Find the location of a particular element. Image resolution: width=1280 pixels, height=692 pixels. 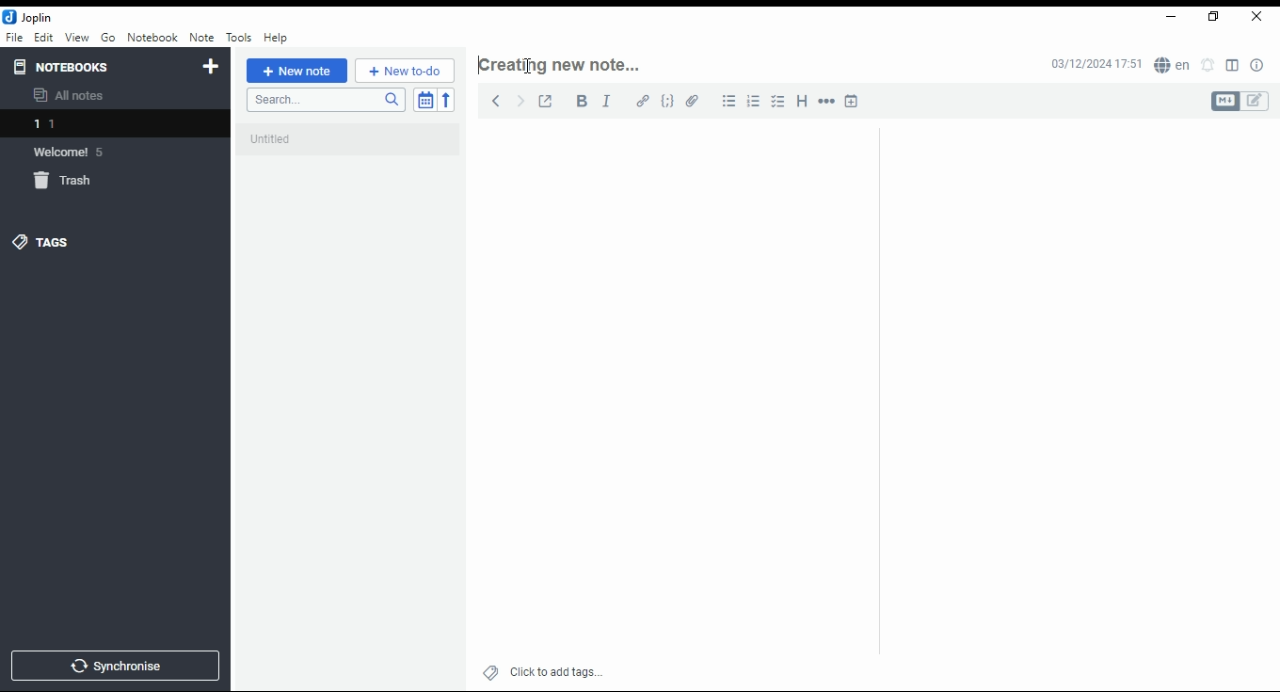

toggle external editing is located at coordinates (545, 101).